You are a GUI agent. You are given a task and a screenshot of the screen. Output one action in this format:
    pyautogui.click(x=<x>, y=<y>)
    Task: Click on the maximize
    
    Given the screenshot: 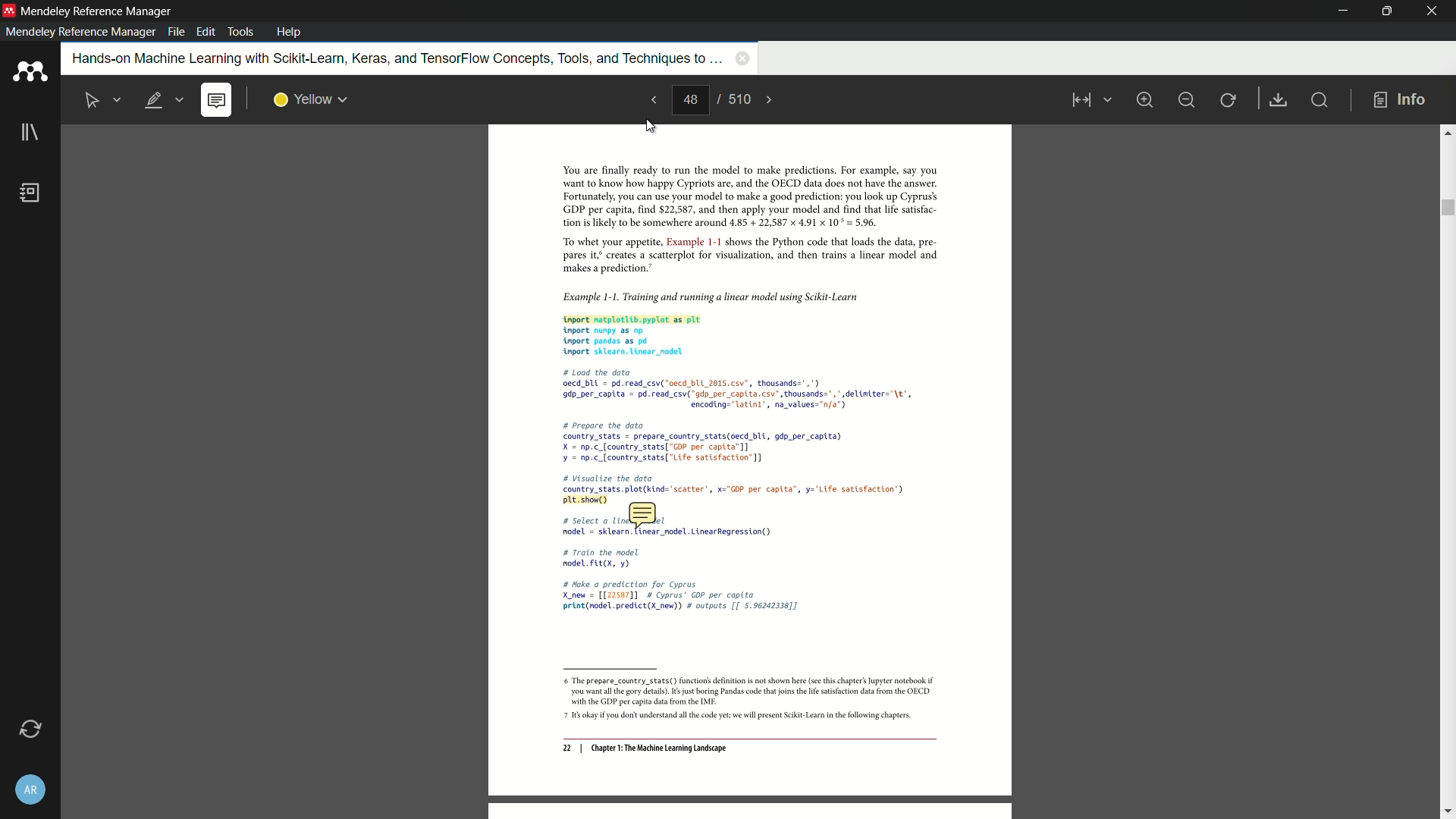 What is the action you would take?
    pyautogui.click(x=1384, y=11)
    